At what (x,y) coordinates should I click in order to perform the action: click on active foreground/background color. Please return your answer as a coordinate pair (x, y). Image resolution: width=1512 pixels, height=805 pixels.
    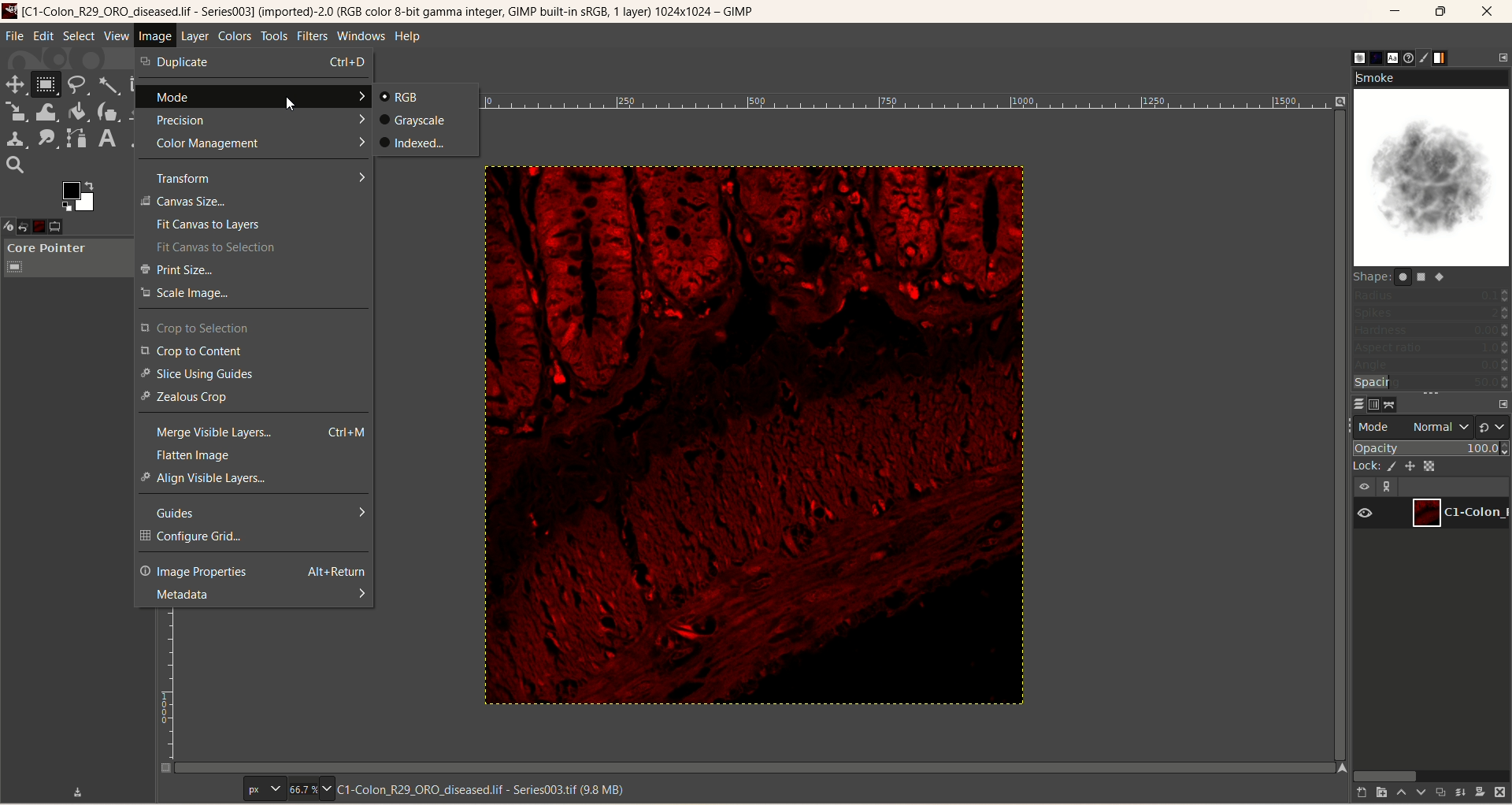
    Looking at the image, I should click on (79, 196).